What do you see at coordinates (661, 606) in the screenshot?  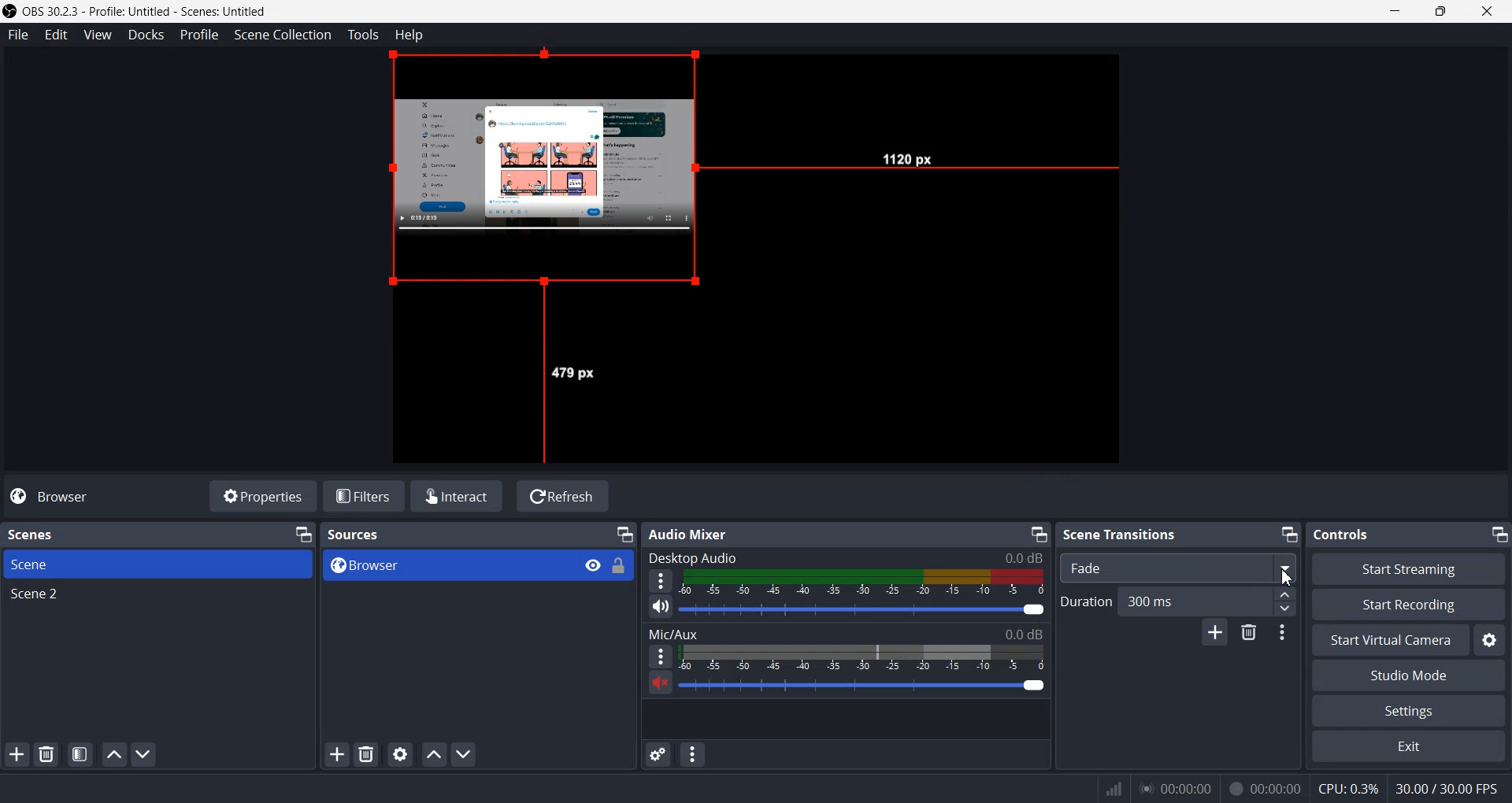 I see `Mute/ Unmute` at bounding box center [661, 606].